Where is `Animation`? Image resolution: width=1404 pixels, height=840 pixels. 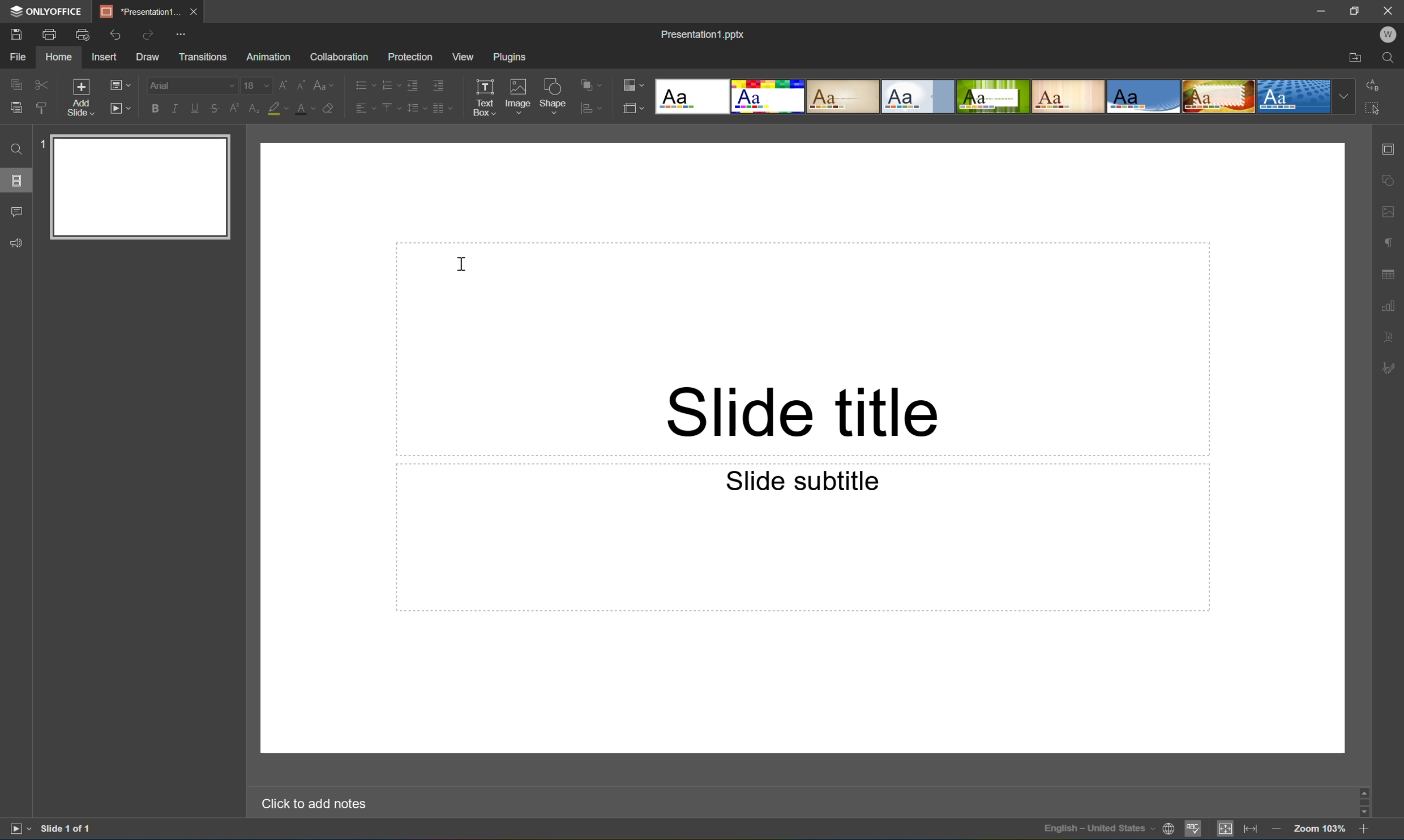 Animation is located at coordinates (267, 59).